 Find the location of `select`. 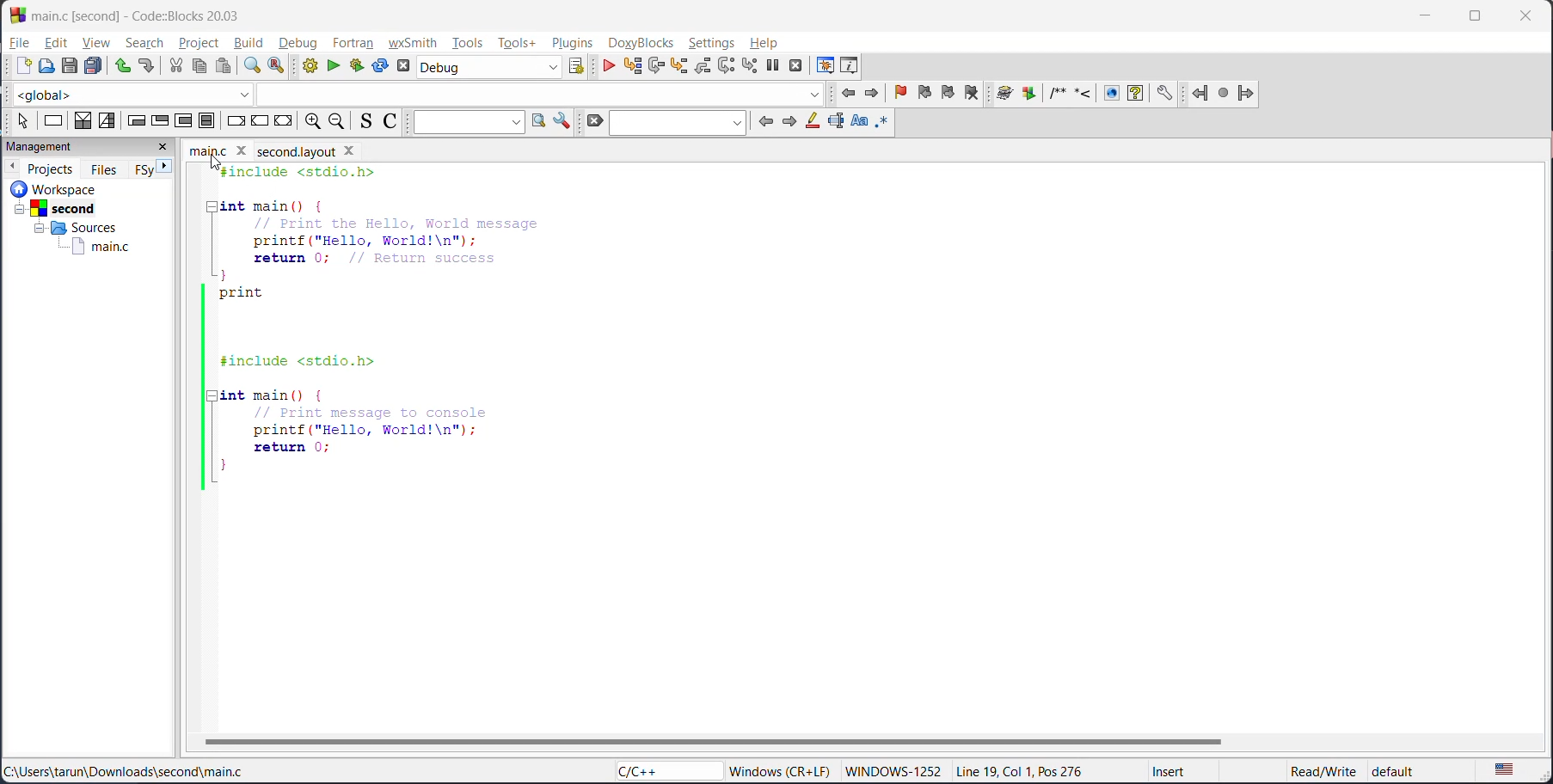

select is located at coordinates (21, 121).